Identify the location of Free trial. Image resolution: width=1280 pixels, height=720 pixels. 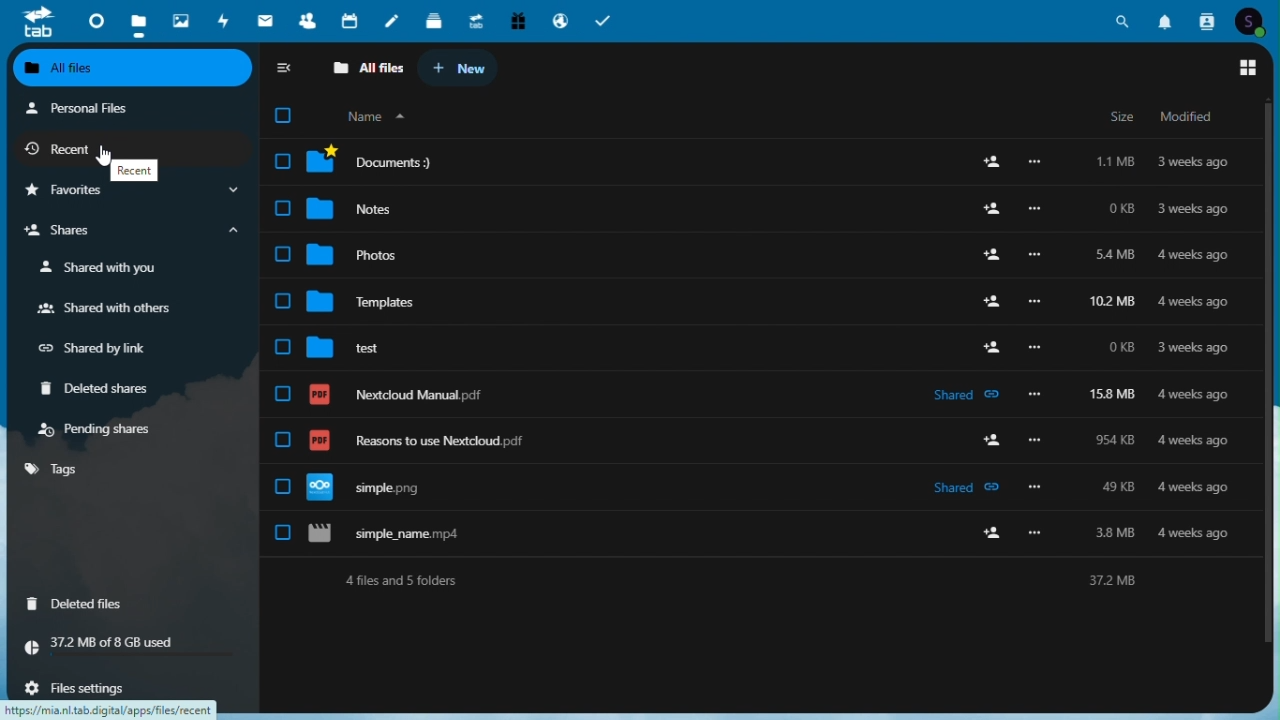
(515, 20).